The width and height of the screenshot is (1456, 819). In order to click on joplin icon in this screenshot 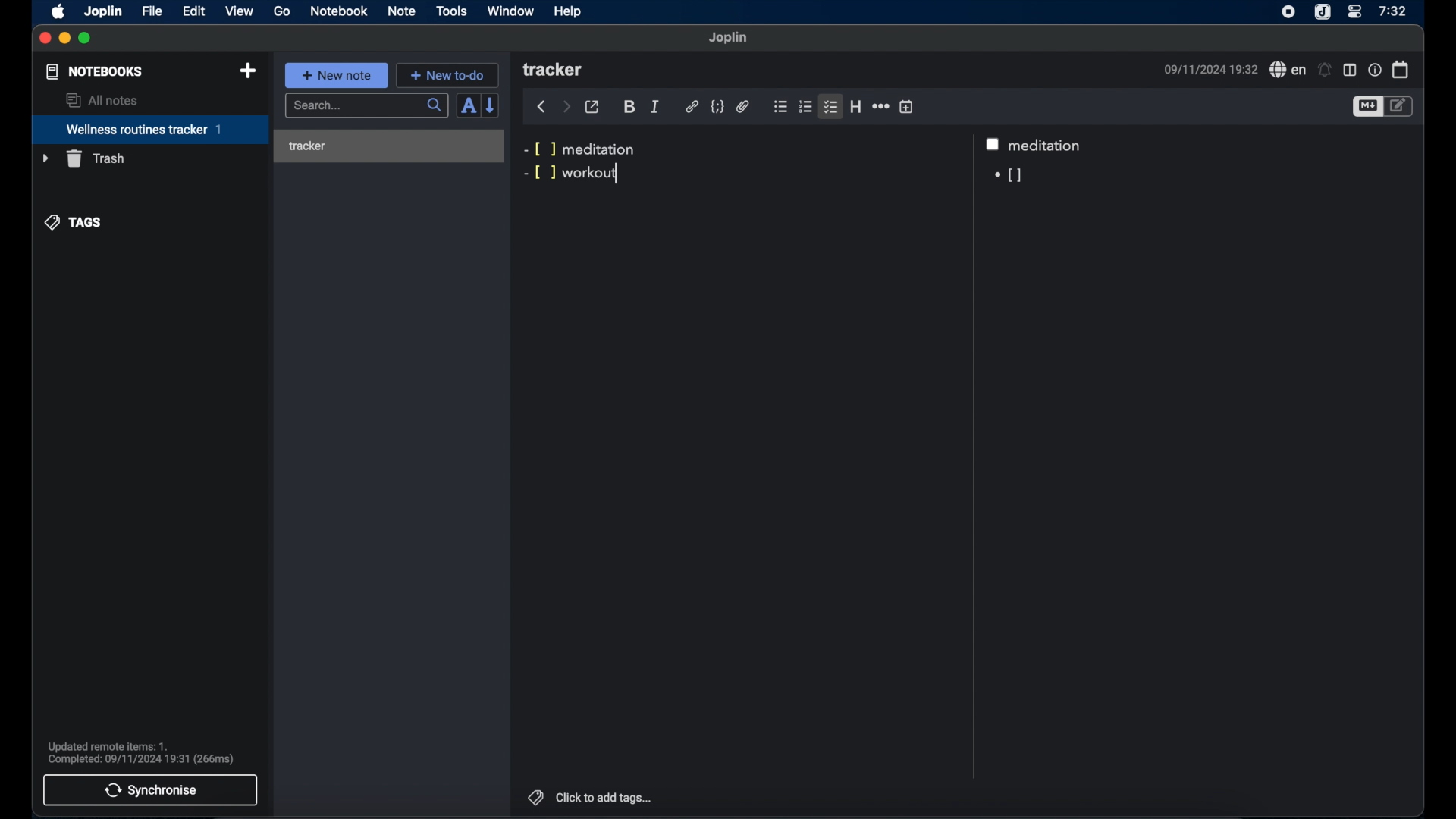, I will do `click(1323, 12)`.